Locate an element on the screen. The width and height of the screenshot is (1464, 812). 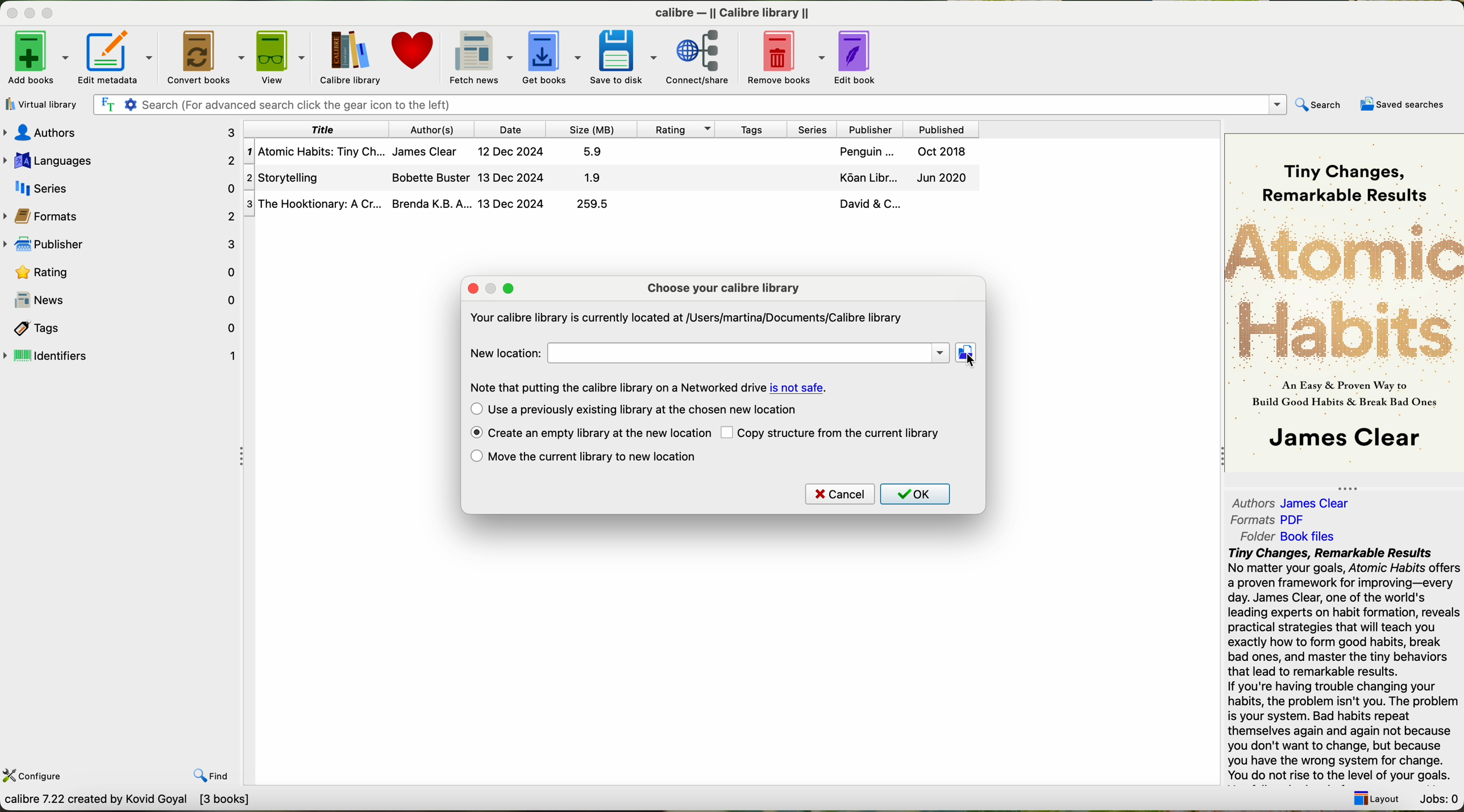
published is located at coordinates (942, 128).